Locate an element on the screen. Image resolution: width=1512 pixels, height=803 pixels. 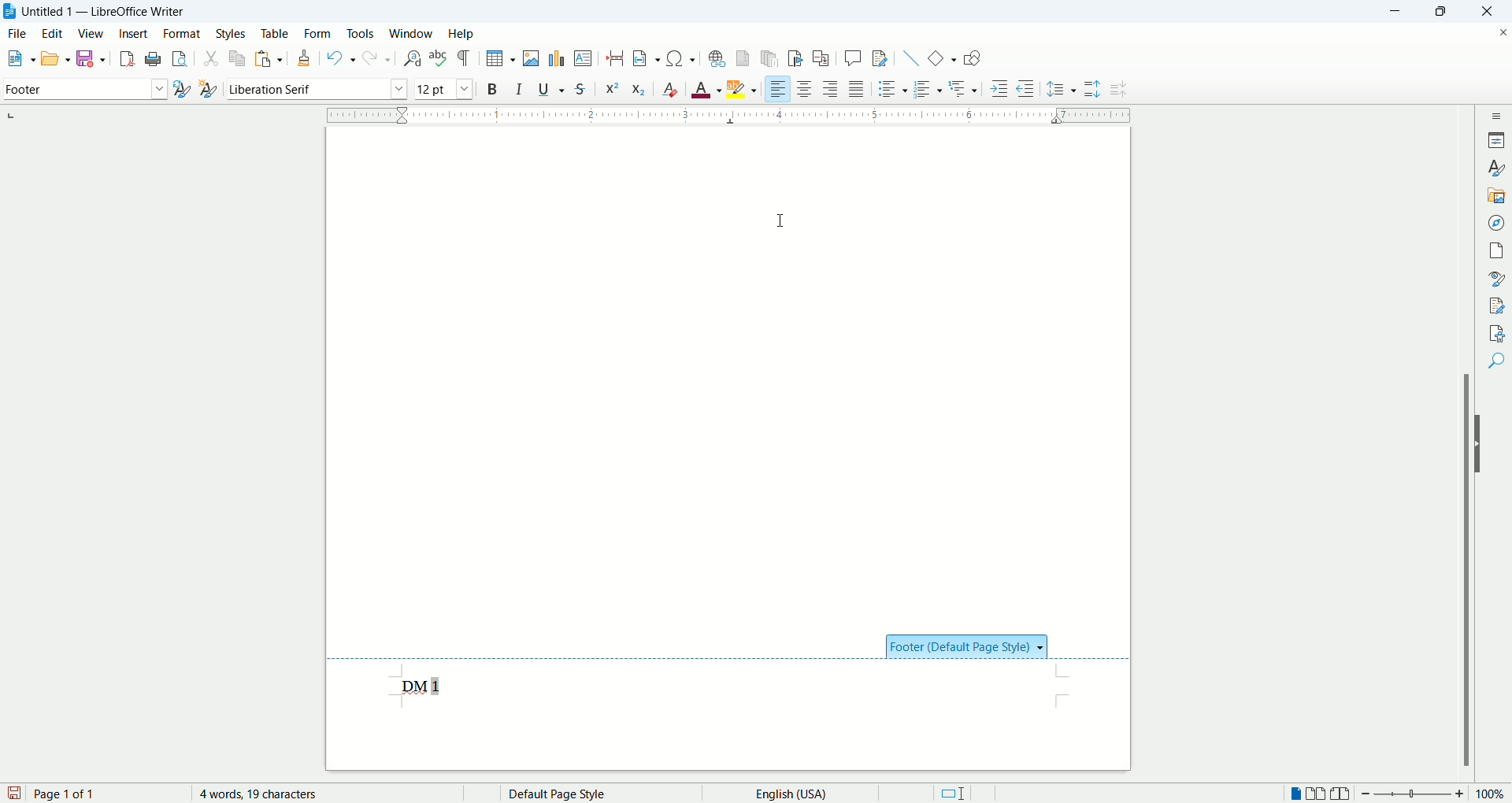
italic is located at coordinates (520, 88).